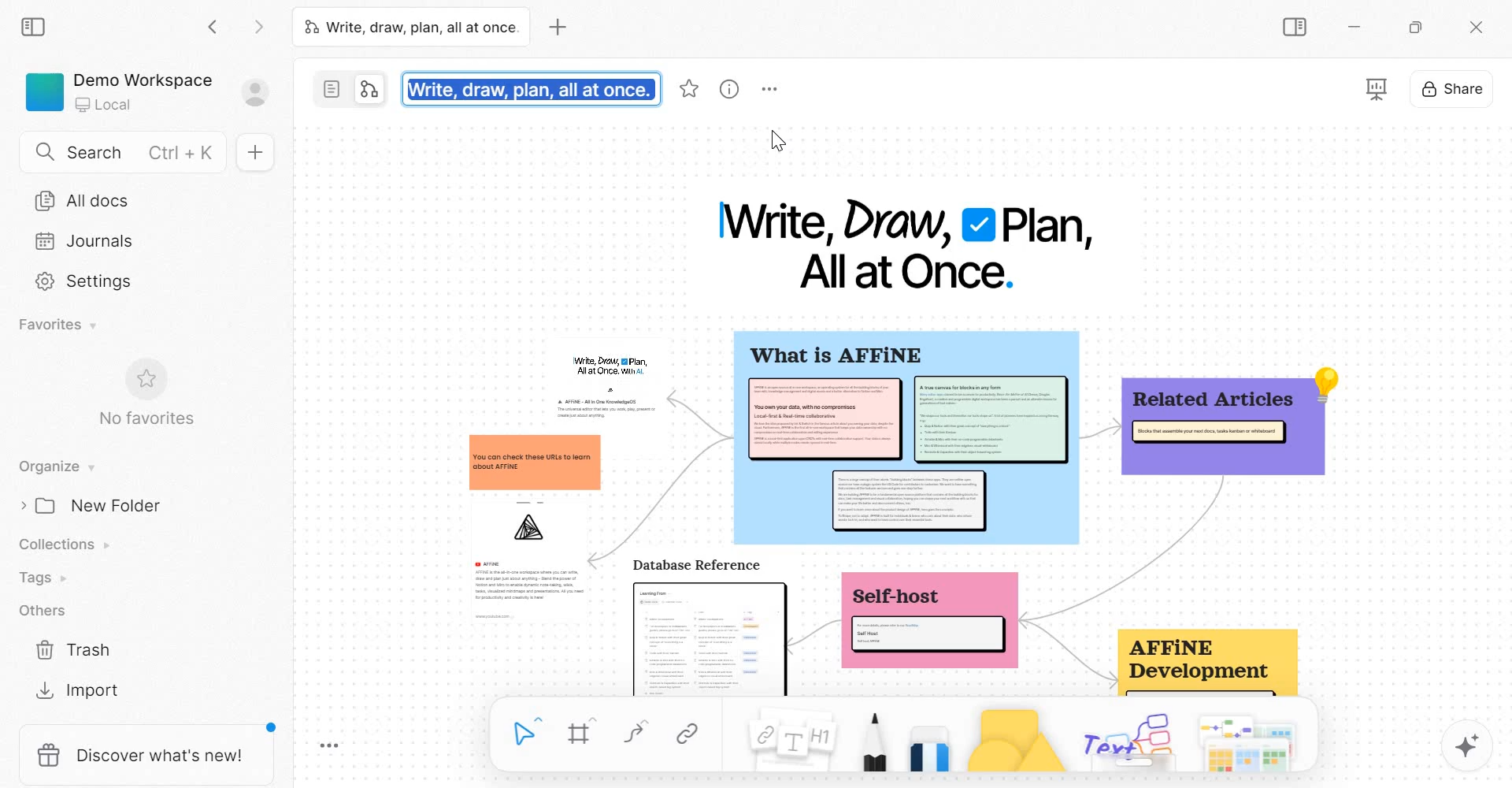 Image resolution: width=1512 pixels, height=788 pixels. Describe the element at coordinates (1417, 28) in the screenshot. I see `Maximize` at that location.